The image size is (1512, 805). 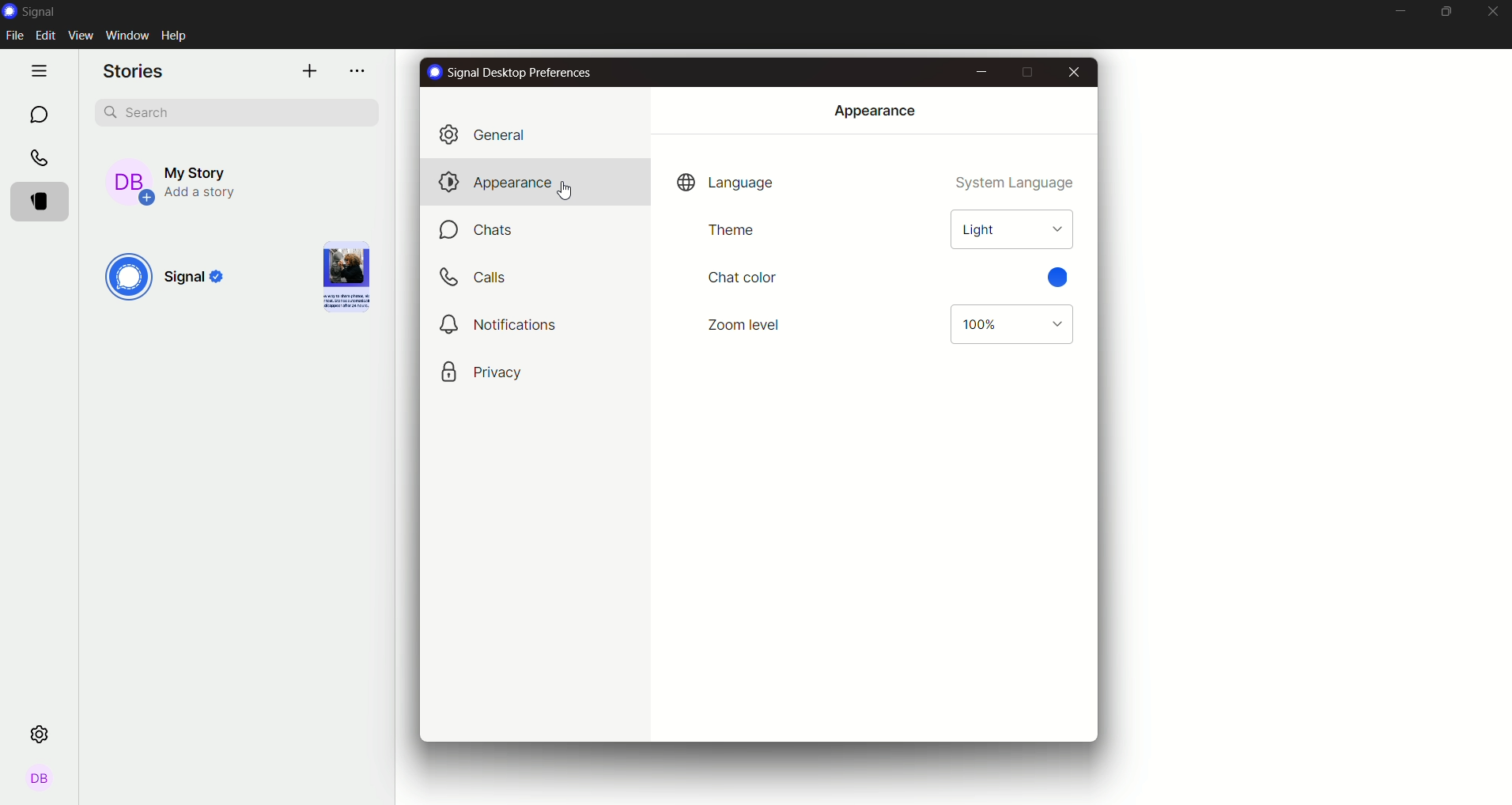 What do you see at coordinates (127, 34) in the screenshot?
I see `window` at bounding box center [127, 34].